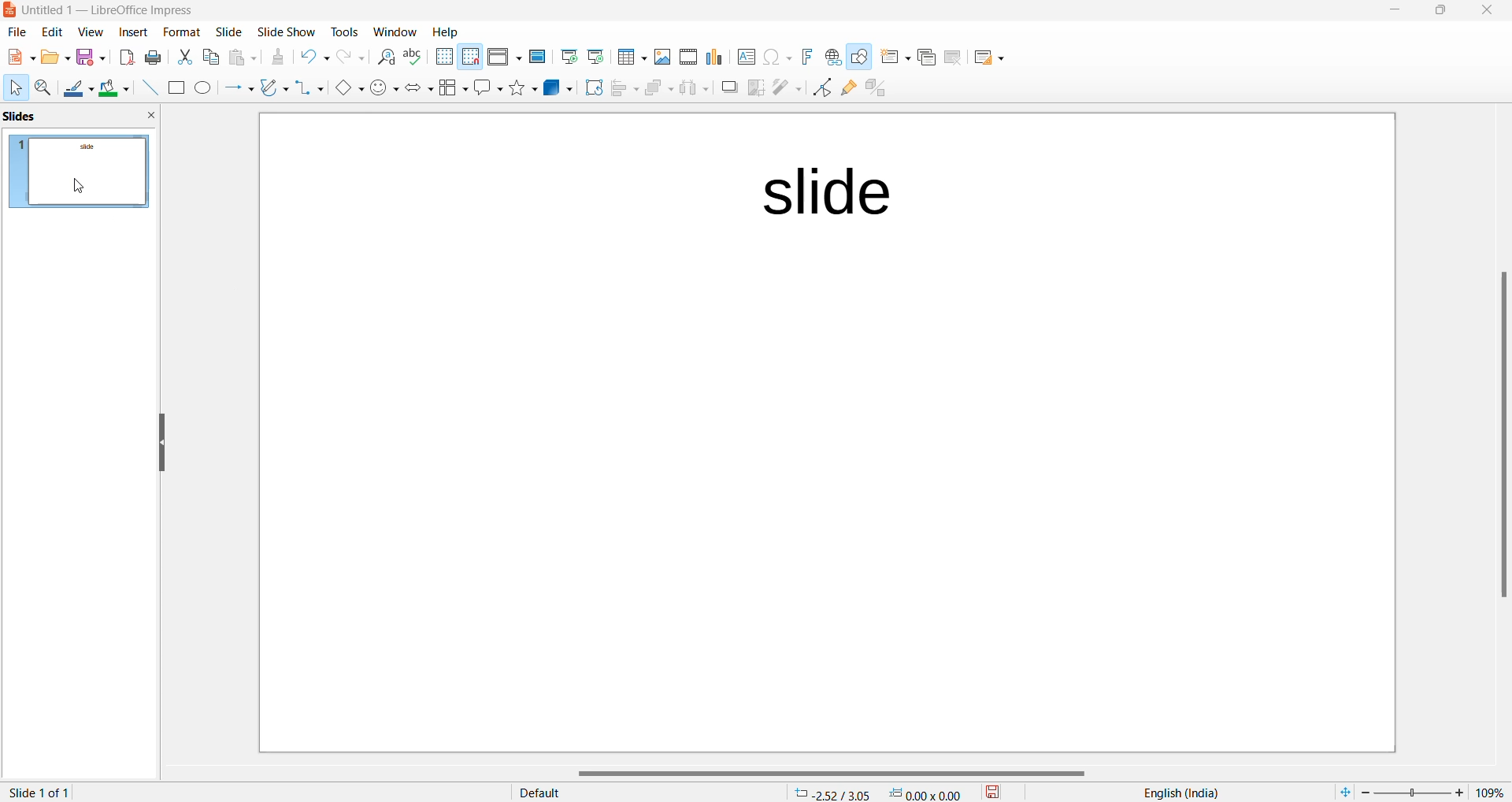 The width and height of the screenshot is (1512, 802). What do you see at coordinates (56, 58) in the screenshot?
I see `file option` at bounding box center [56, 58].